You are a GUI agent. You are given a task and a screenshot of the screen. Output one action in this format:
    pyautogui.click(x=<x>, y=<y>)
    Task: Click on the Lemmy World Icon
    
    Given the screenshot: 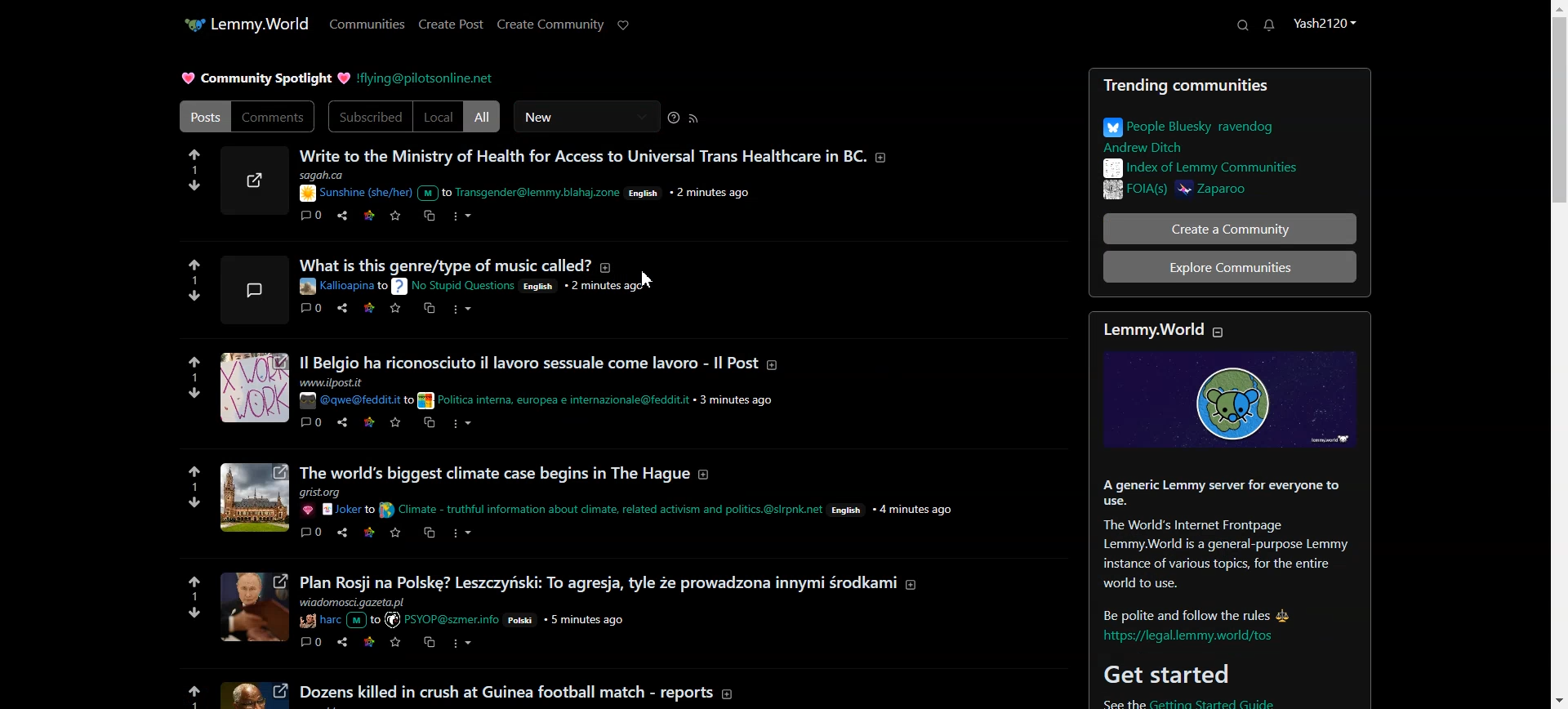 What is the action you would take?
    pyautogui.click(x=180, y=21)
    